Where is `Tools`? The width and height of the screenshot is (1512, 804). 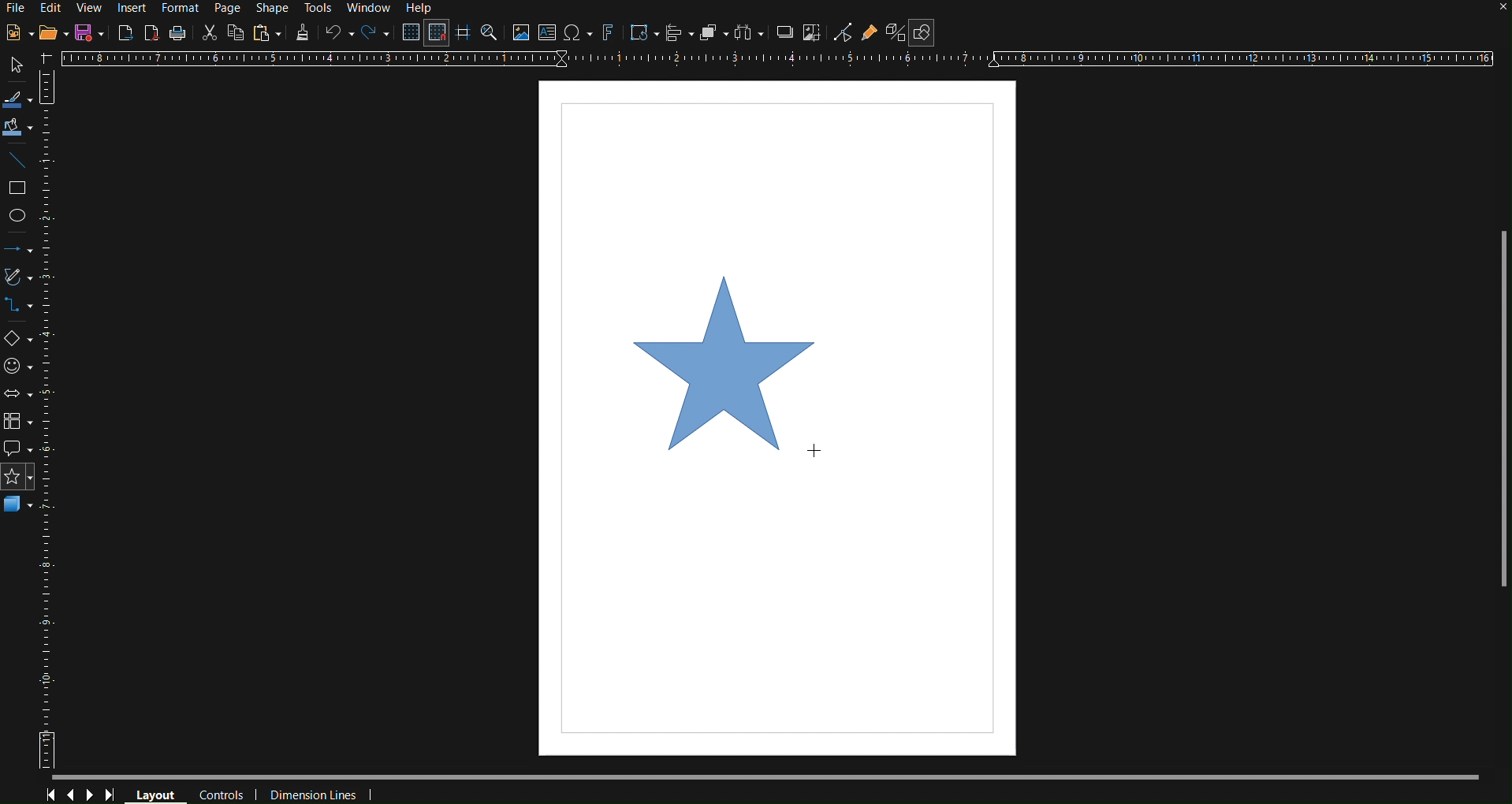
Tools is located at coordinates (317, 8).